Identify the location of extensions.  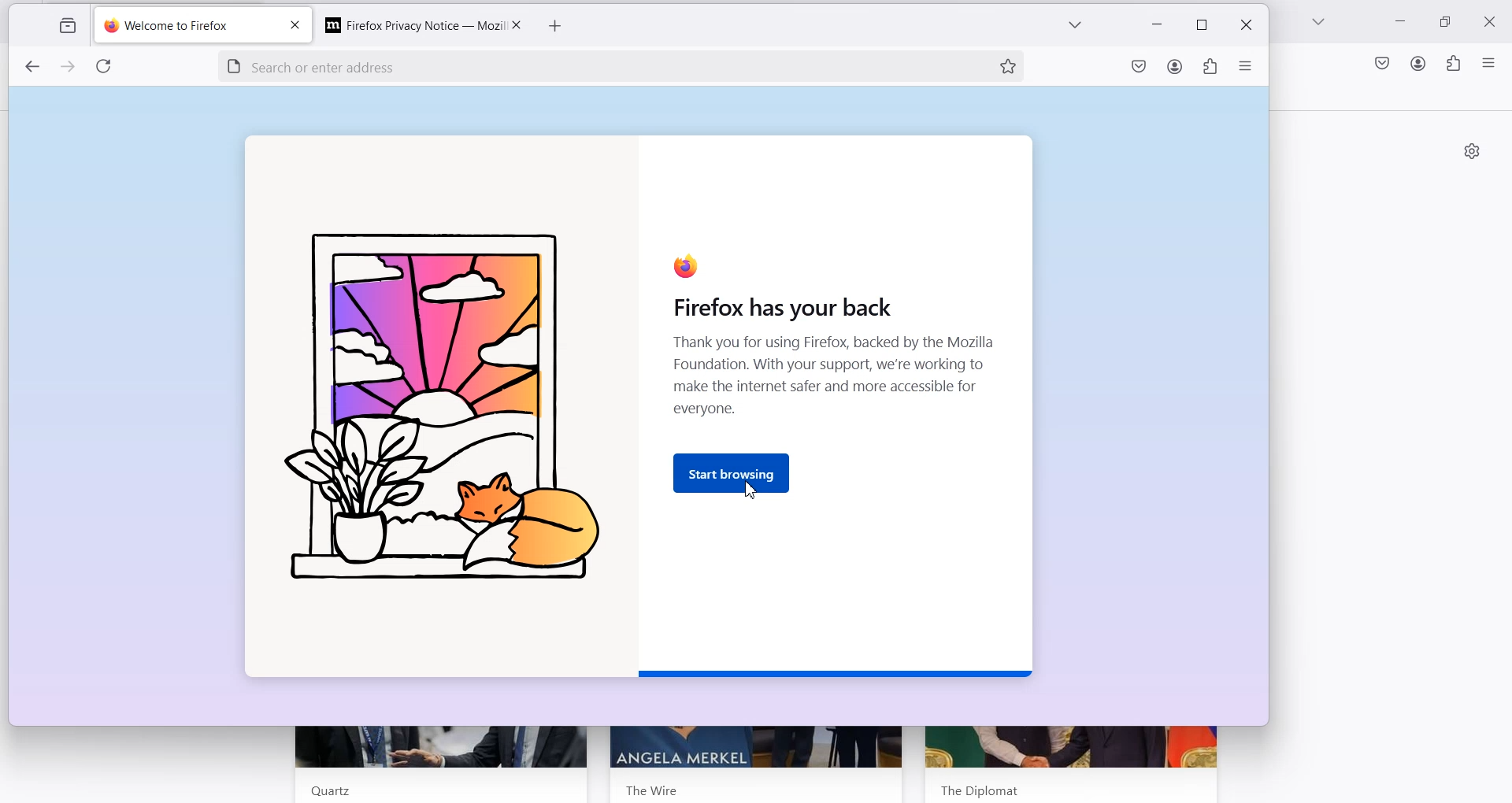
(1208, 69).